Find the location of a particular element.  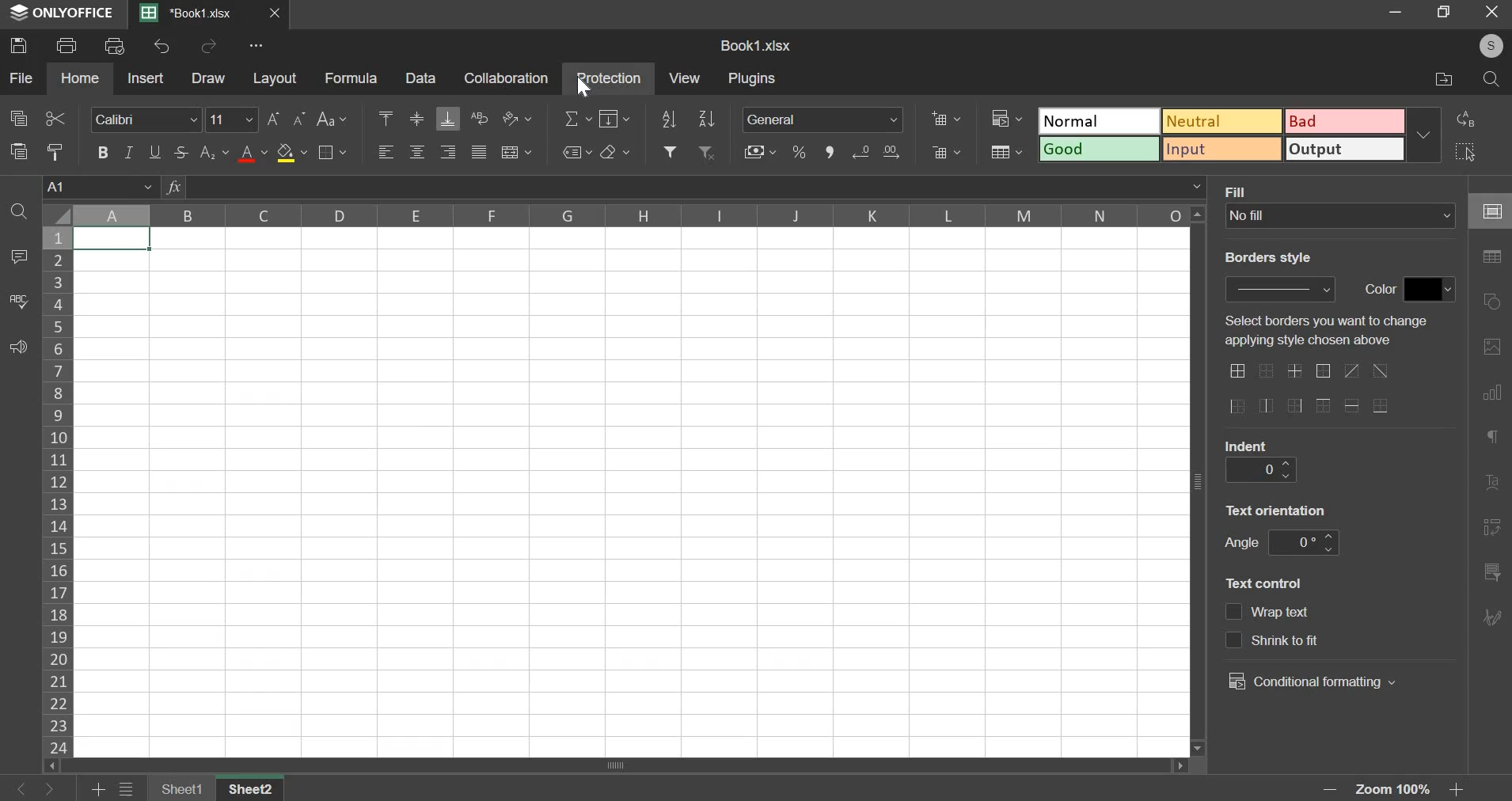

change case is located at coordinates (332, 118).